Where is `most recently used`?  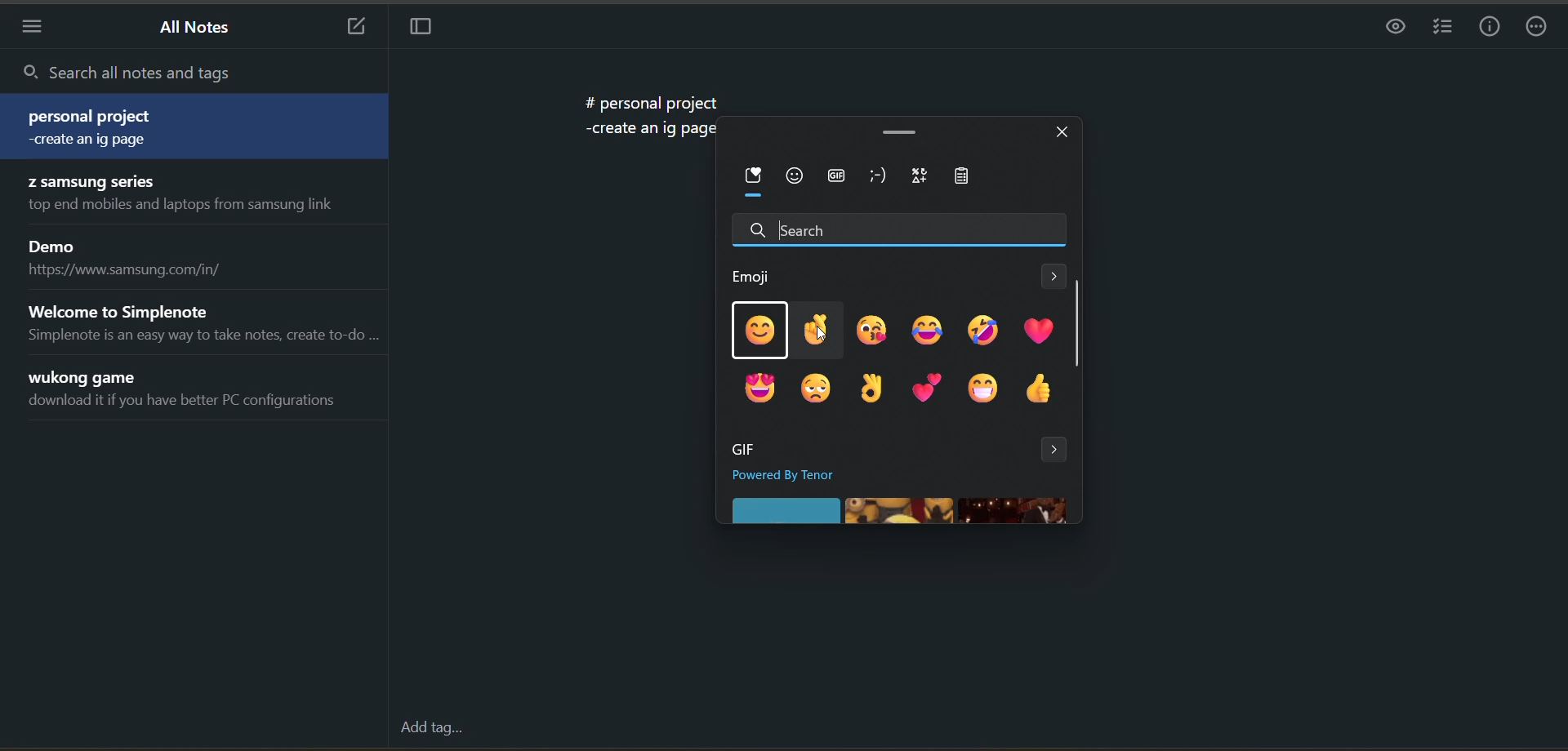
most recently used is located at coordinates (752, 180).